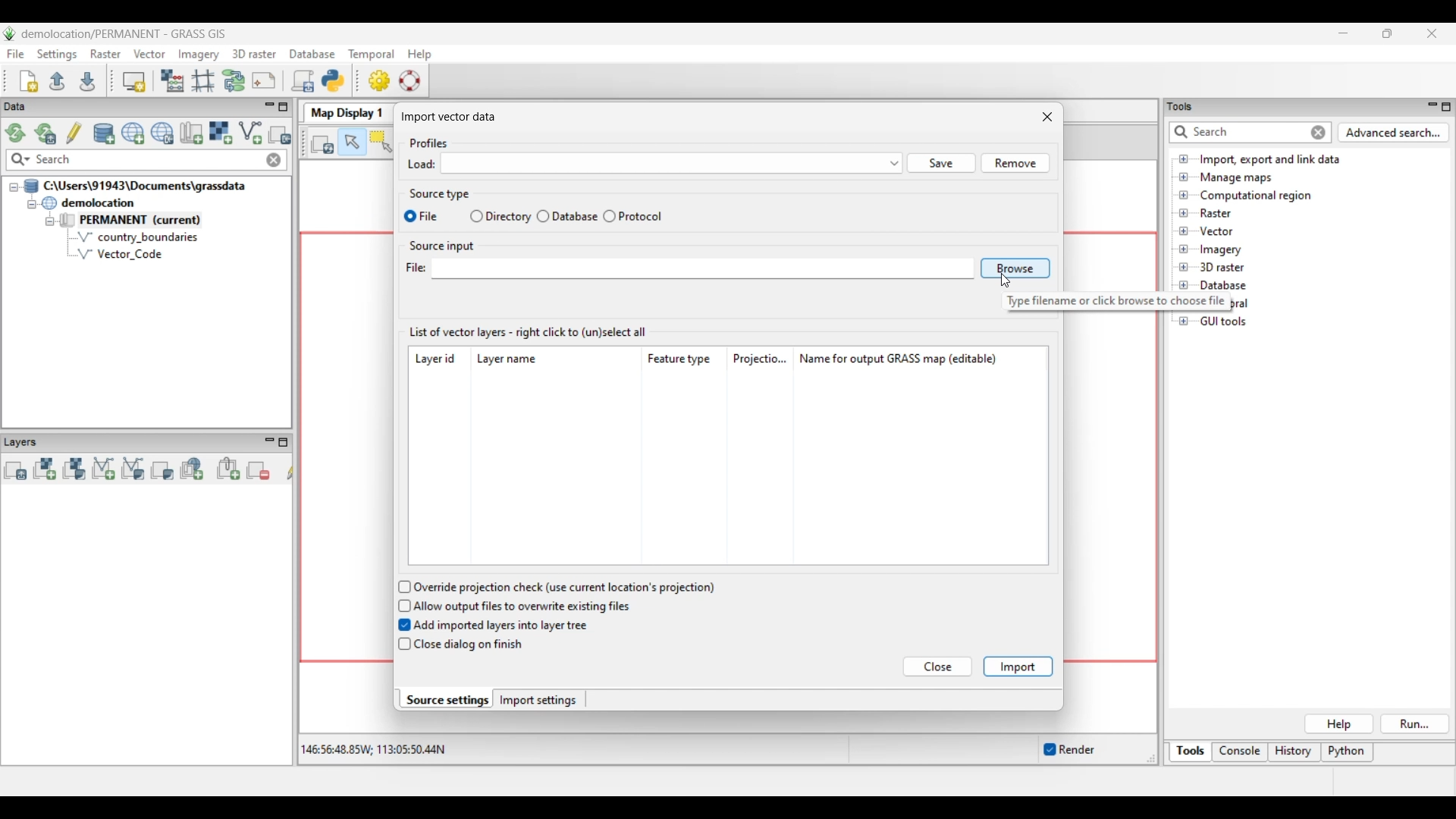 The width and height of the screenshot is (1456, 819). Describe the element at coordinates (609, 216) in the screenshot. I see `select` at that location.